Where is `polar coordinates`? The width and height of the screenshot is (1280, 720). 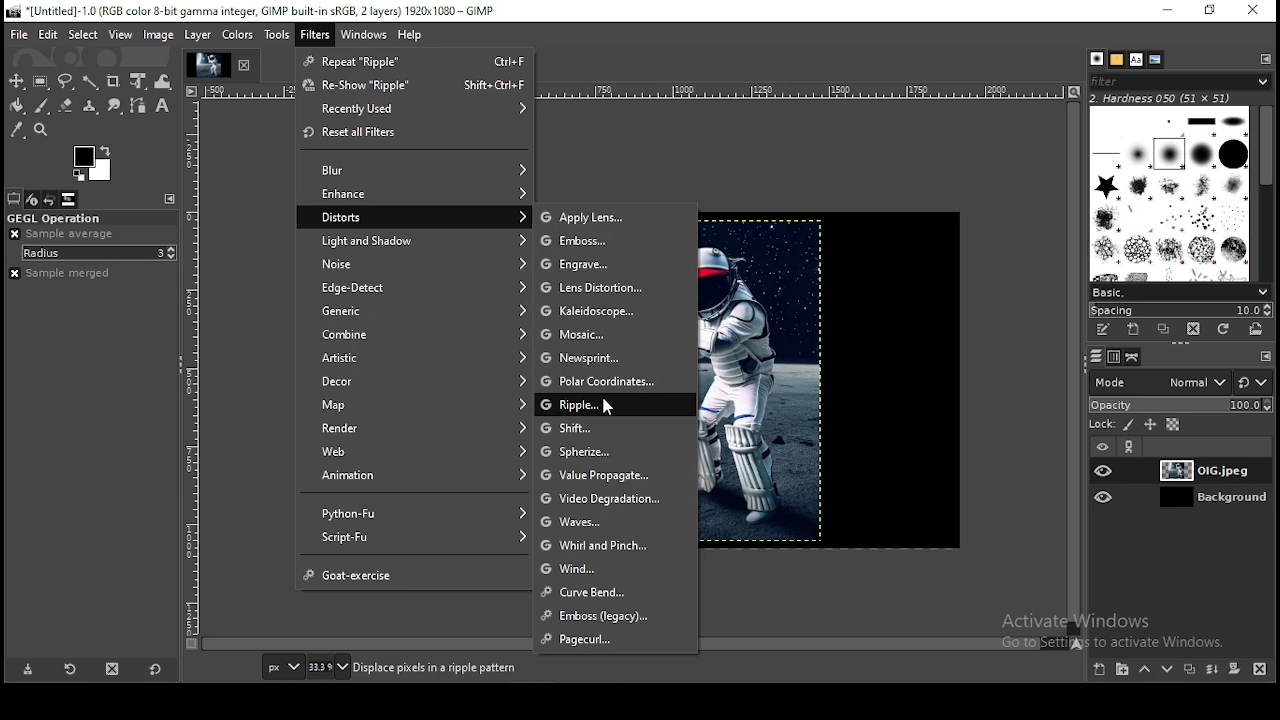 polar coordinates is located at coordinates (599, 382).